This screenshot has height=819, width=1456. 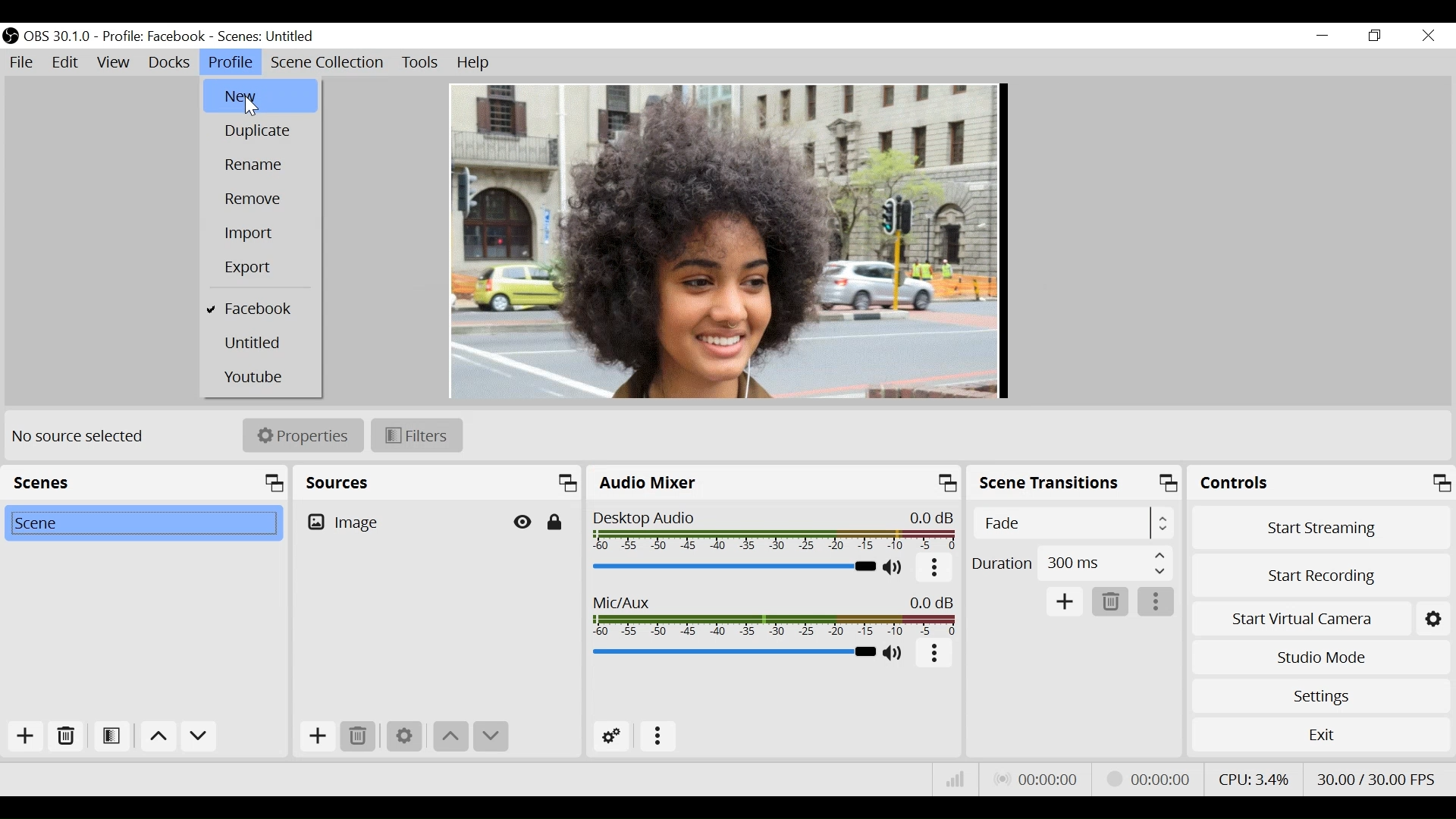 What do you see at coordinates (955, 781) in the screenshot?
I see `Bitrate` at bounding box center [955, 781].